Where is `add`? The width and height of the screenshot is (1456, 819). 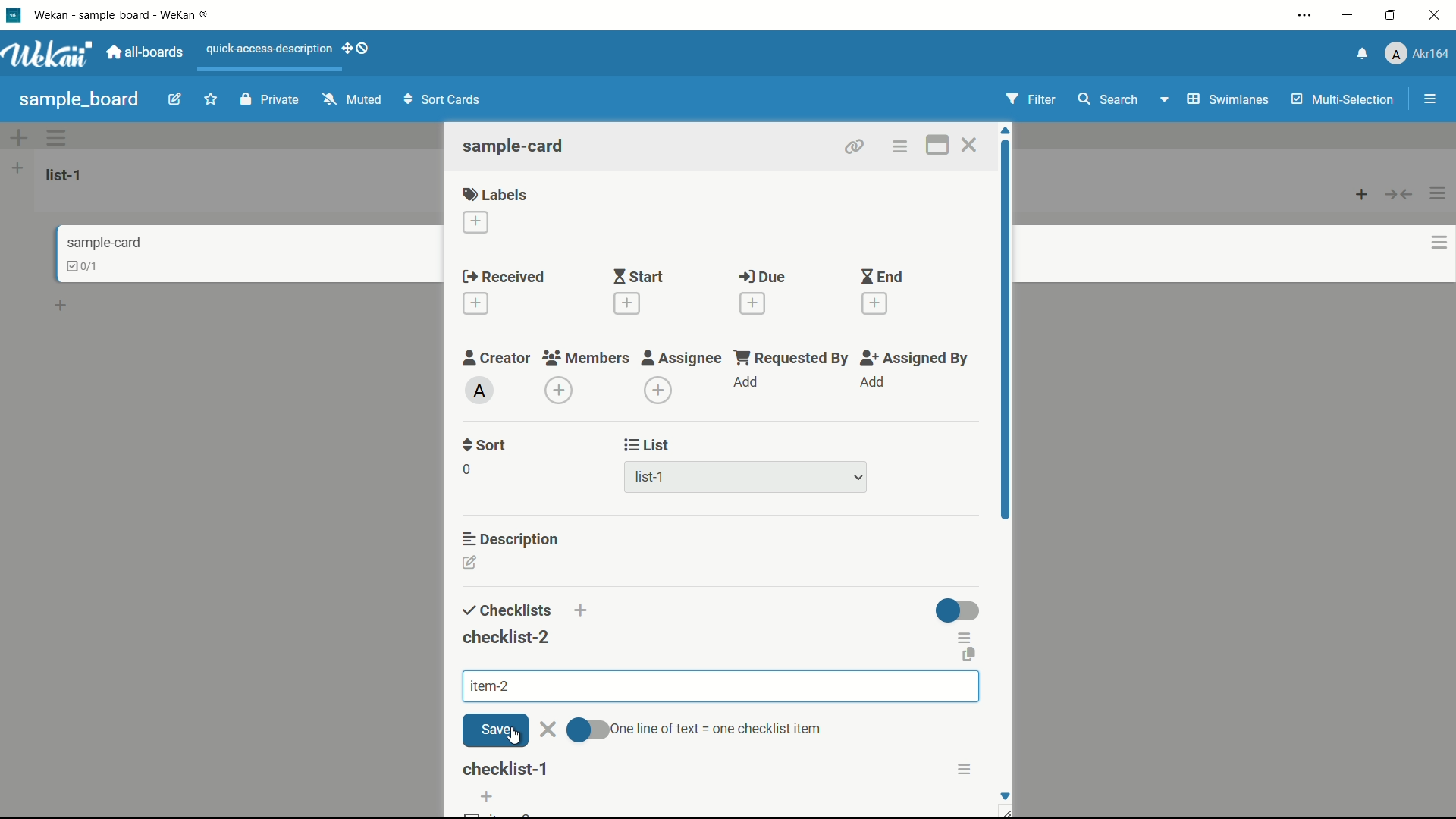 add is located at coordinates (871, 382).